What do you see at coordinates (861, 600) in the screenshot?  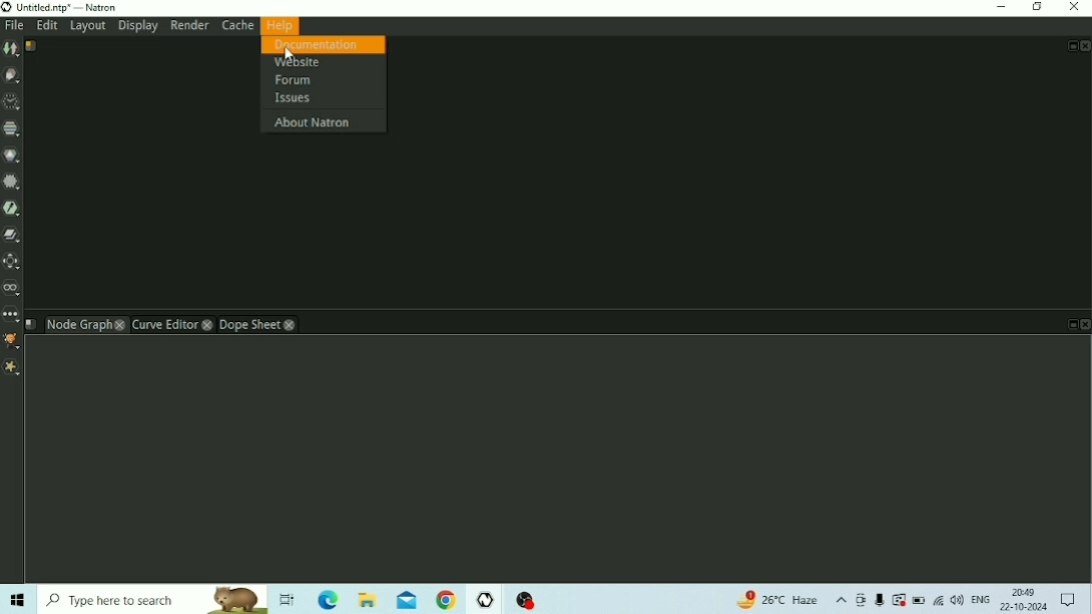 I see `Meet Now` at bounding box center [861, 600].